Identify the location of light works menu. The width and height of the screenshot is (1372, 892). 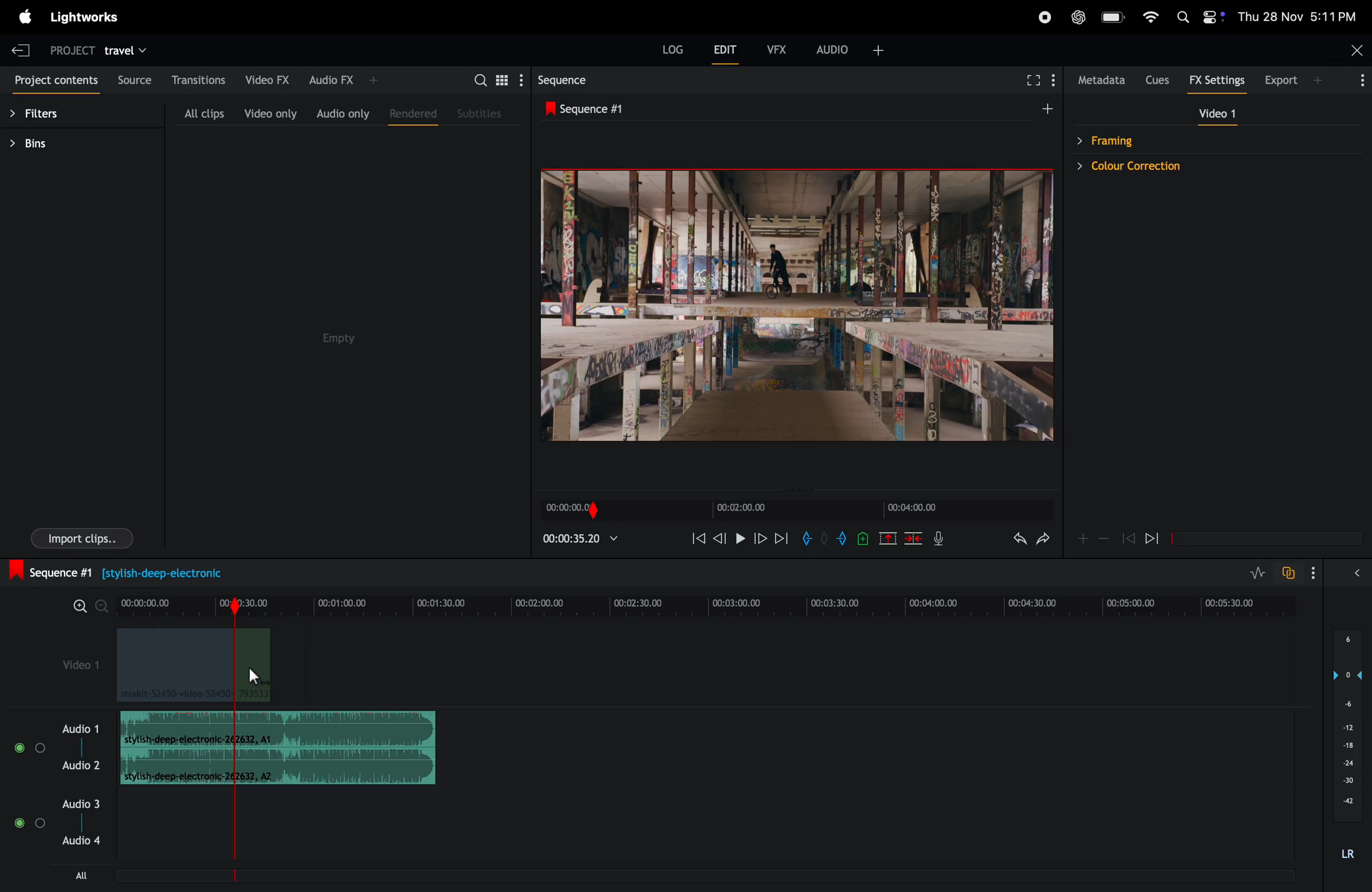
(84, 16).